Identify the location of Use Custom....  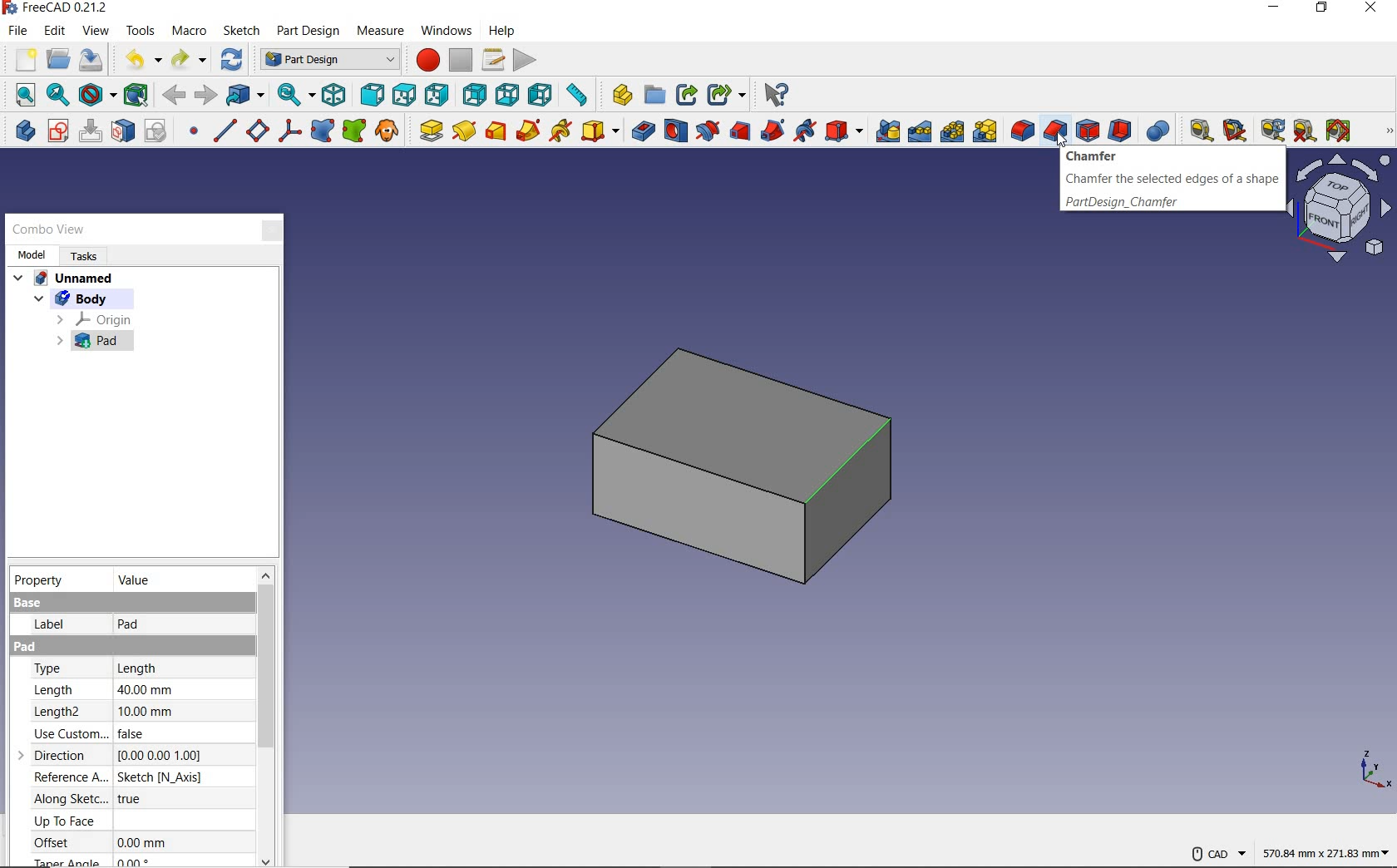
(68, 733).